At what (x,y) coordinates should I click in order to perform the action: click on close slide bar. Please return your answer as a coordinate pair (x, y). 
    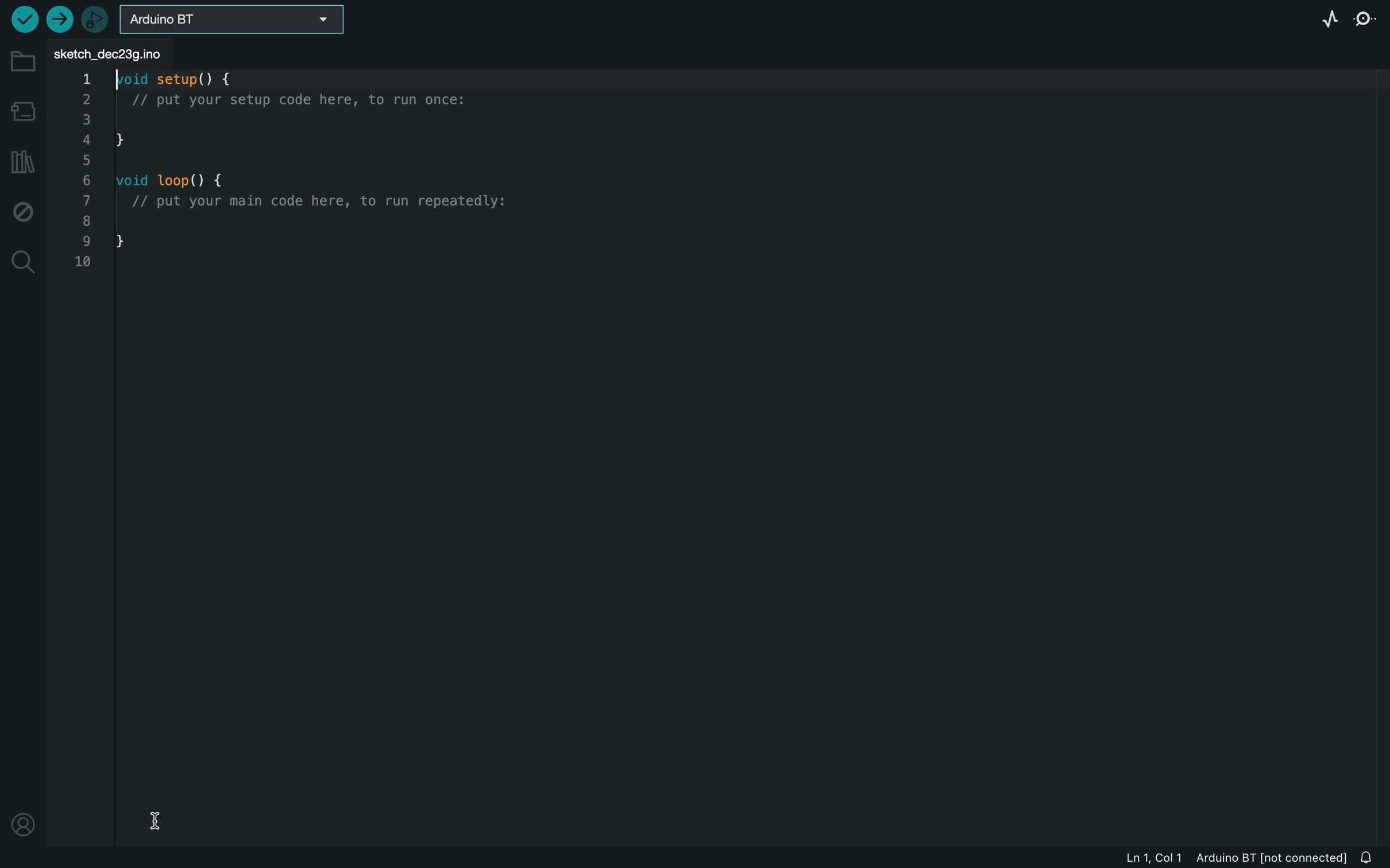
    Looking at the image, I should click on (1372, 858).